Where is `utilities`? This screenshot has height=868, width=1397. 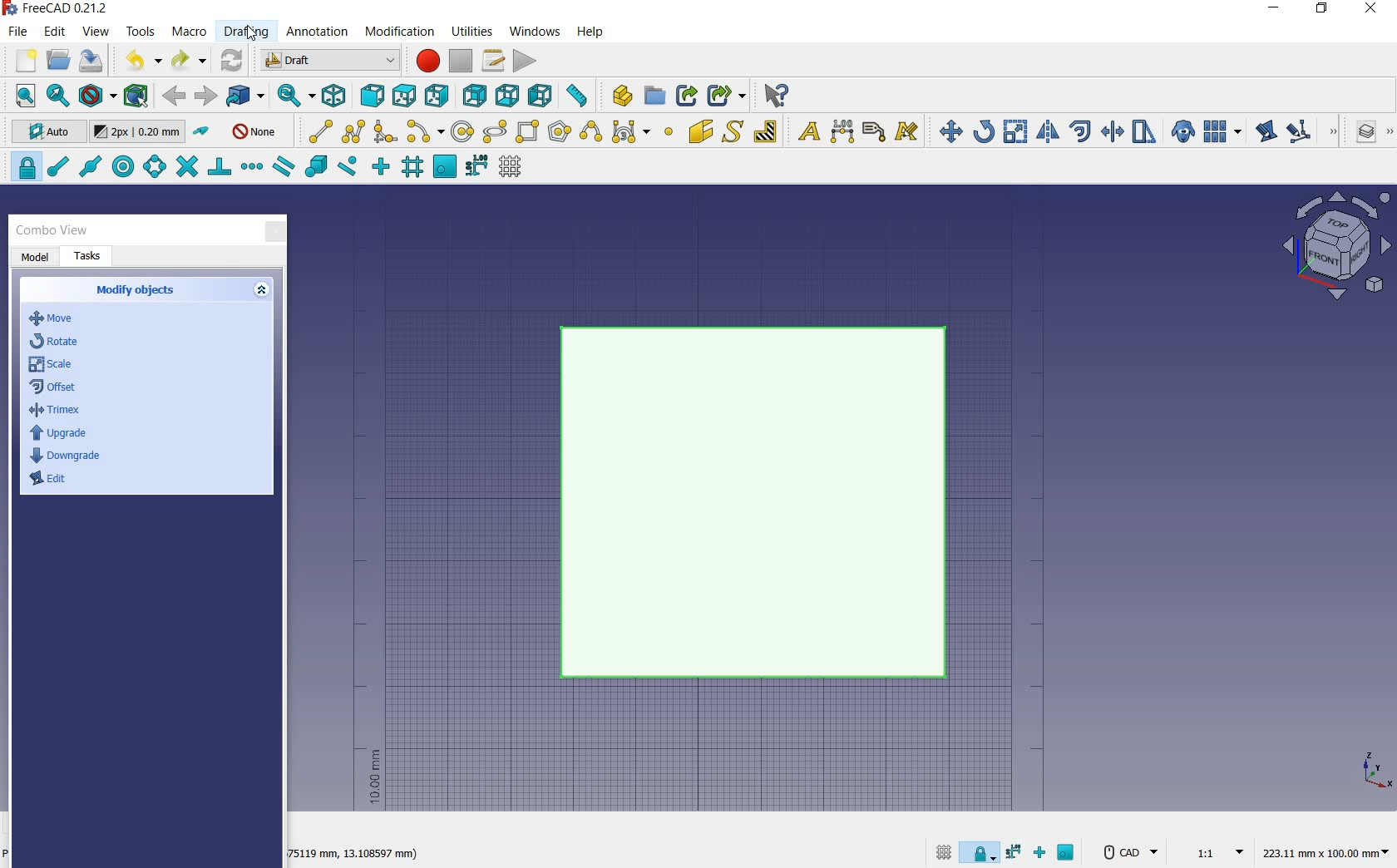 utilities is located at coordinates (473, 30).